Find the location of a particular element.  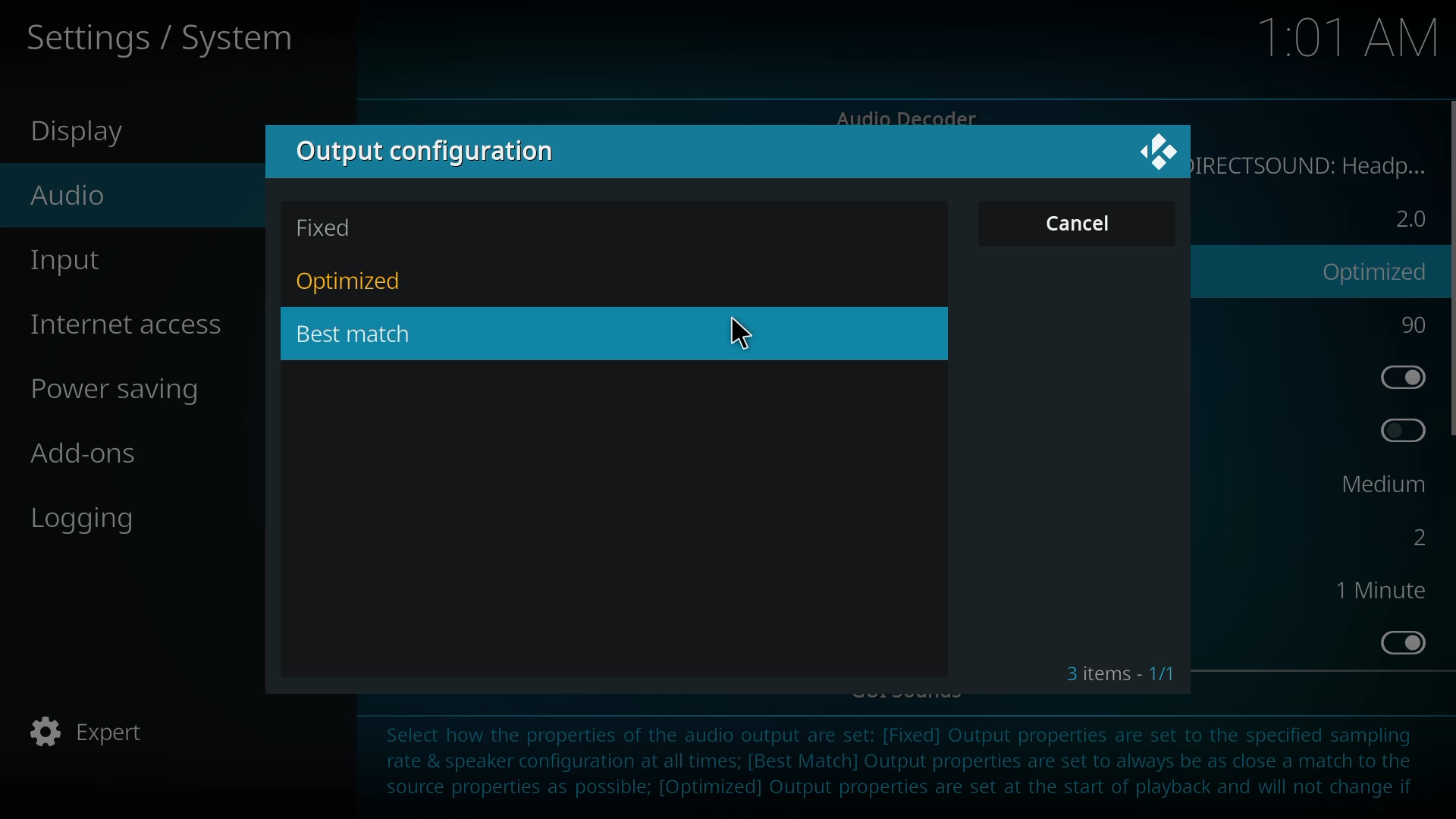

optimized is located at coordinates (1377, 271).